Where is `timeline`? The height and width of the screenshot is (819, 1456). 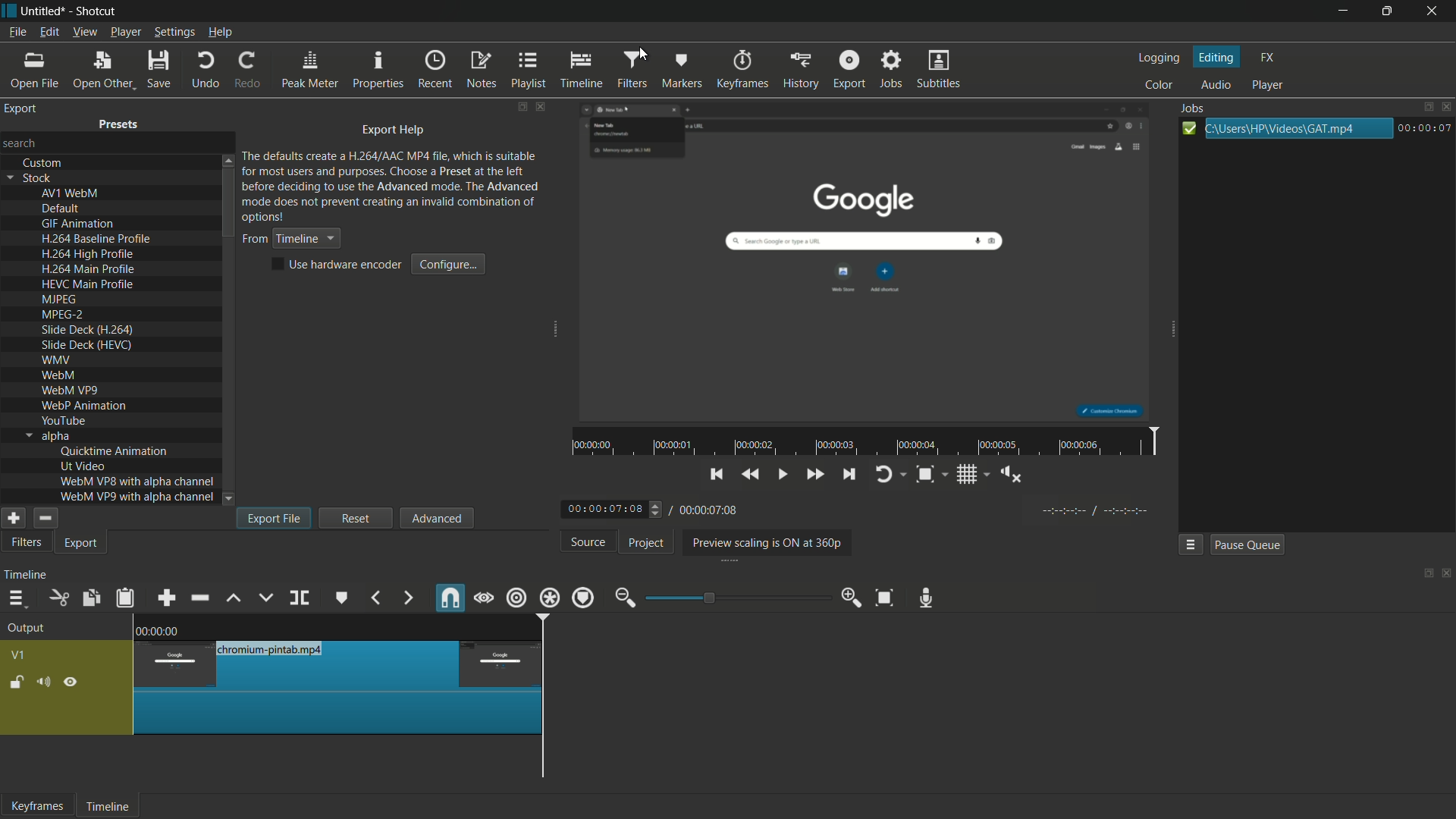
timeline is located at coordinates (105, 808).